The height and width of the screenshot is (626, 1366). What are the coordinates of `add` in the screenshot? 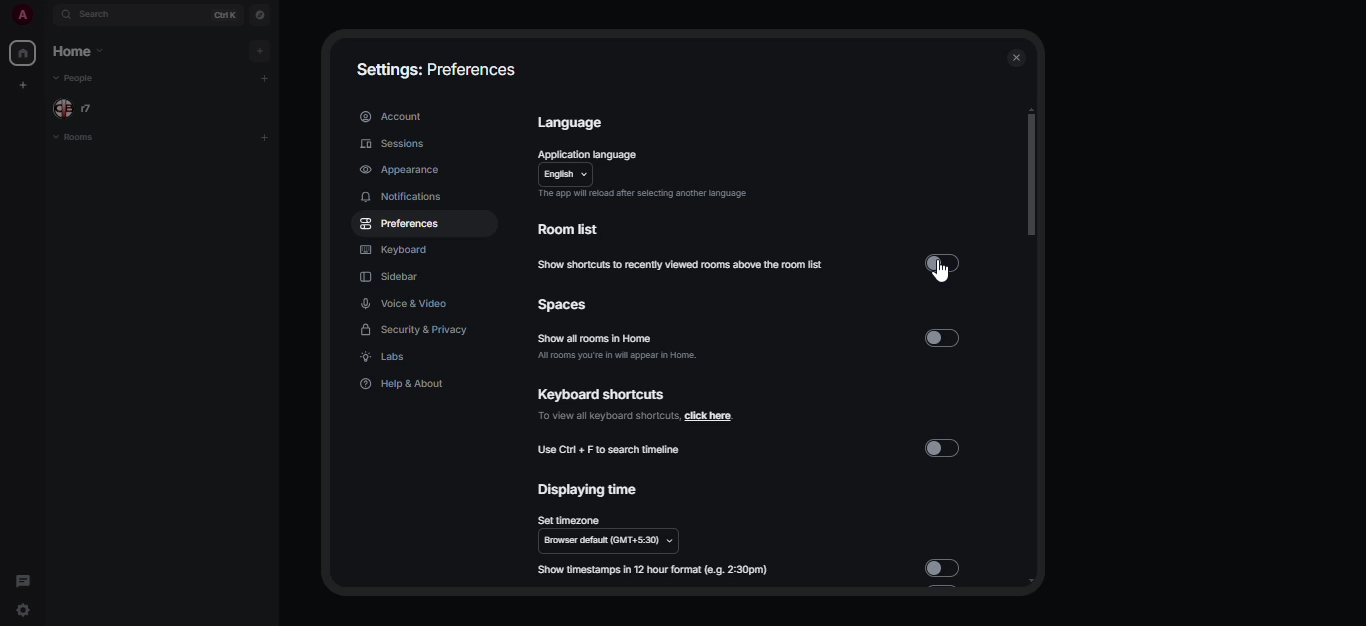 It's located at (261, 51).